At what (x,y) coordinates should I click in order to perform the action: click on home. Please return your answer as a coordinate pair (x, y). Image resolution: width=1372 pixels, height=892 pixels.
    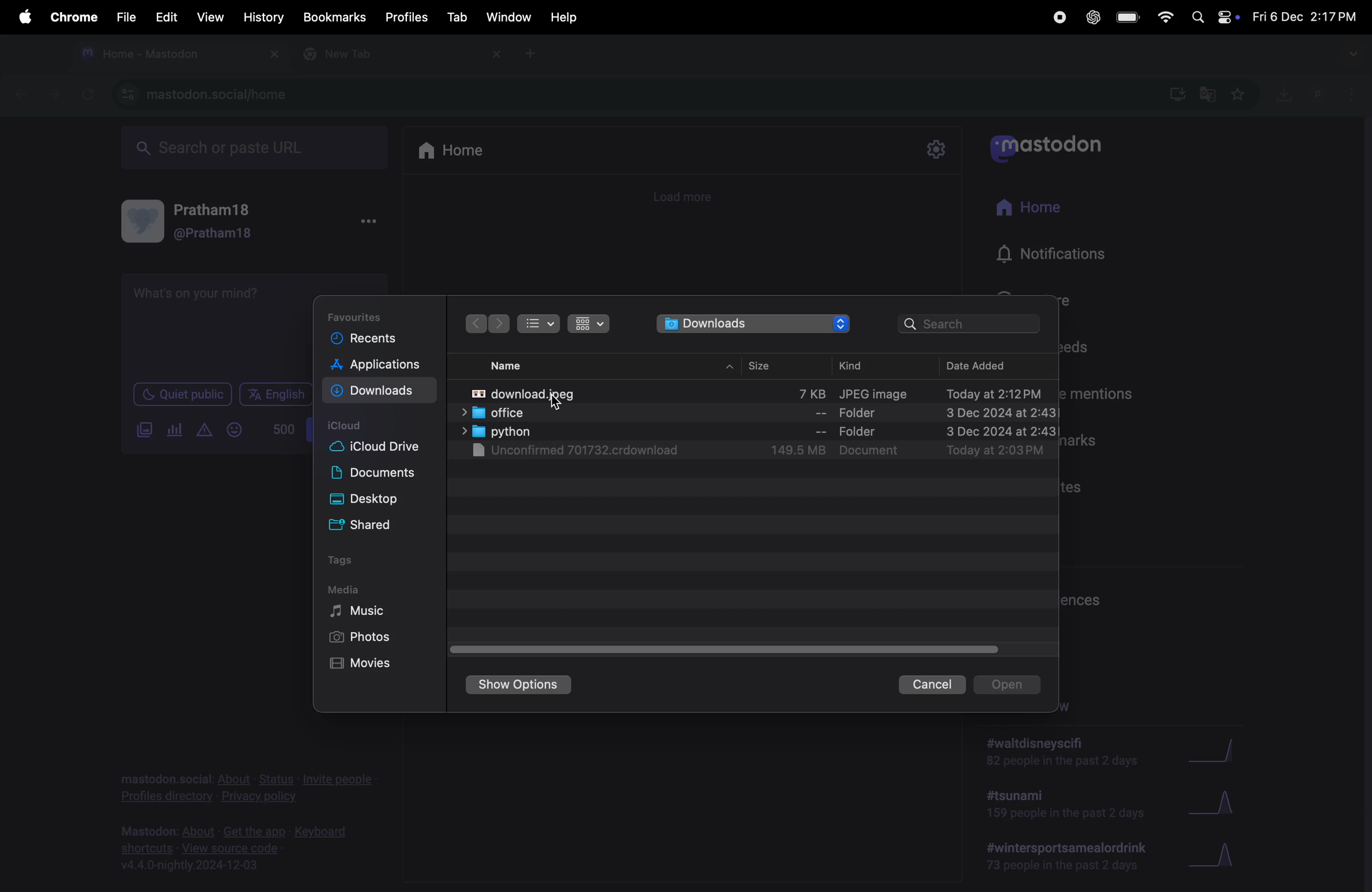
    Looking at the image, I should click on (1045, 212).